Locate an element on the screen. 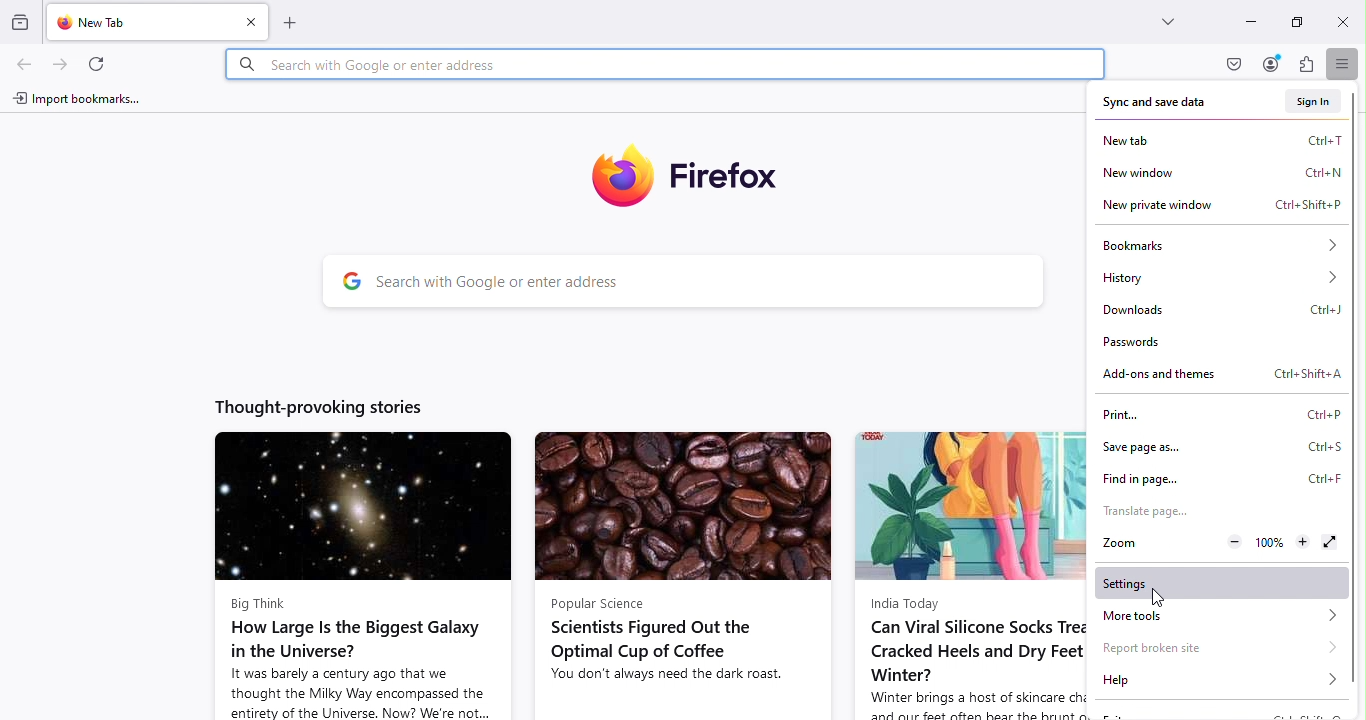 This screenshot has height=720, width=1366. Help is located at coordinates (1221, 681).